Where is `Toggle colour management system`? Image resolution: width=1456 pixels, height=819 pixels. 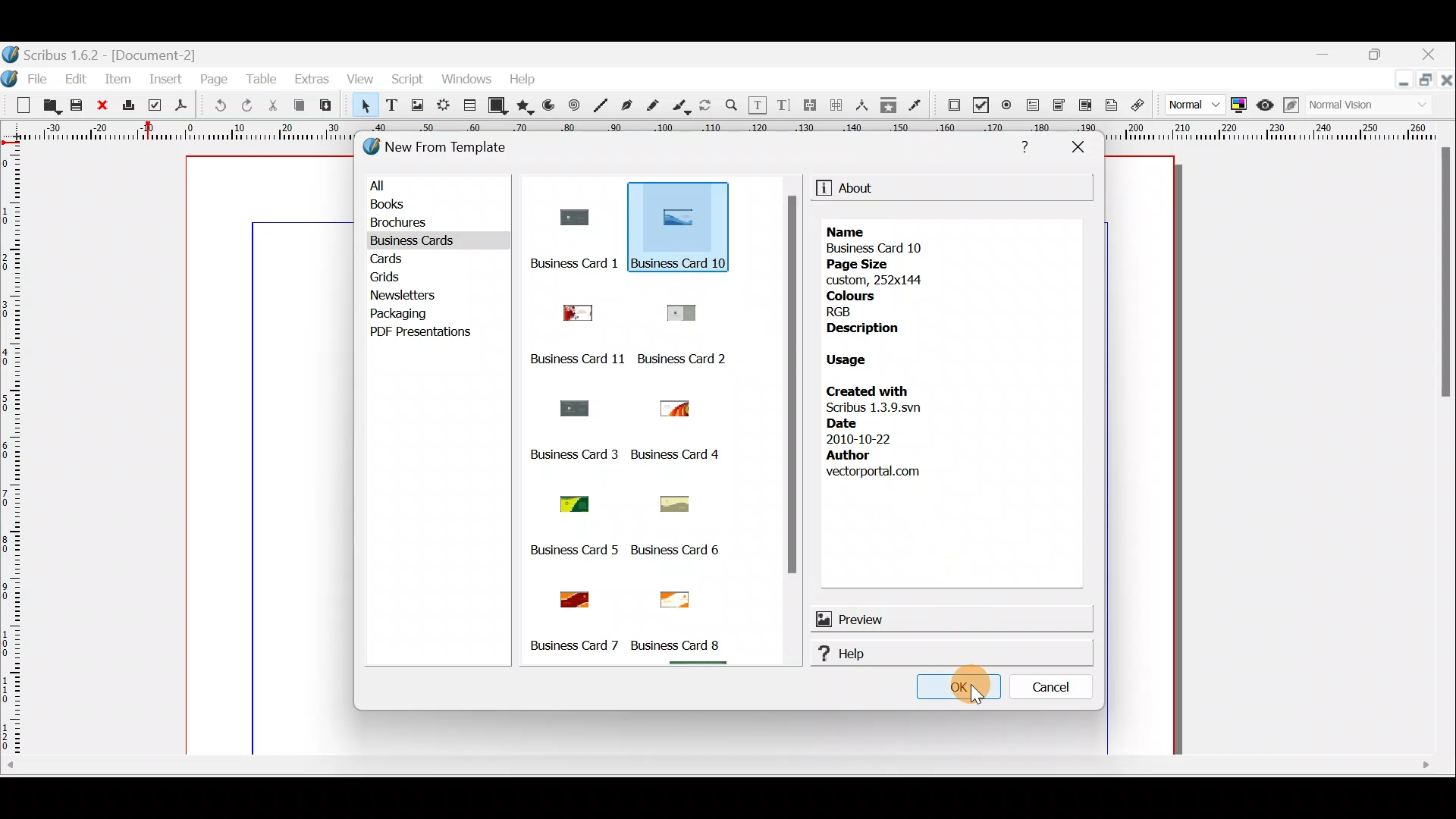 Toggle colour management system is located at coordinates (1240, 104).